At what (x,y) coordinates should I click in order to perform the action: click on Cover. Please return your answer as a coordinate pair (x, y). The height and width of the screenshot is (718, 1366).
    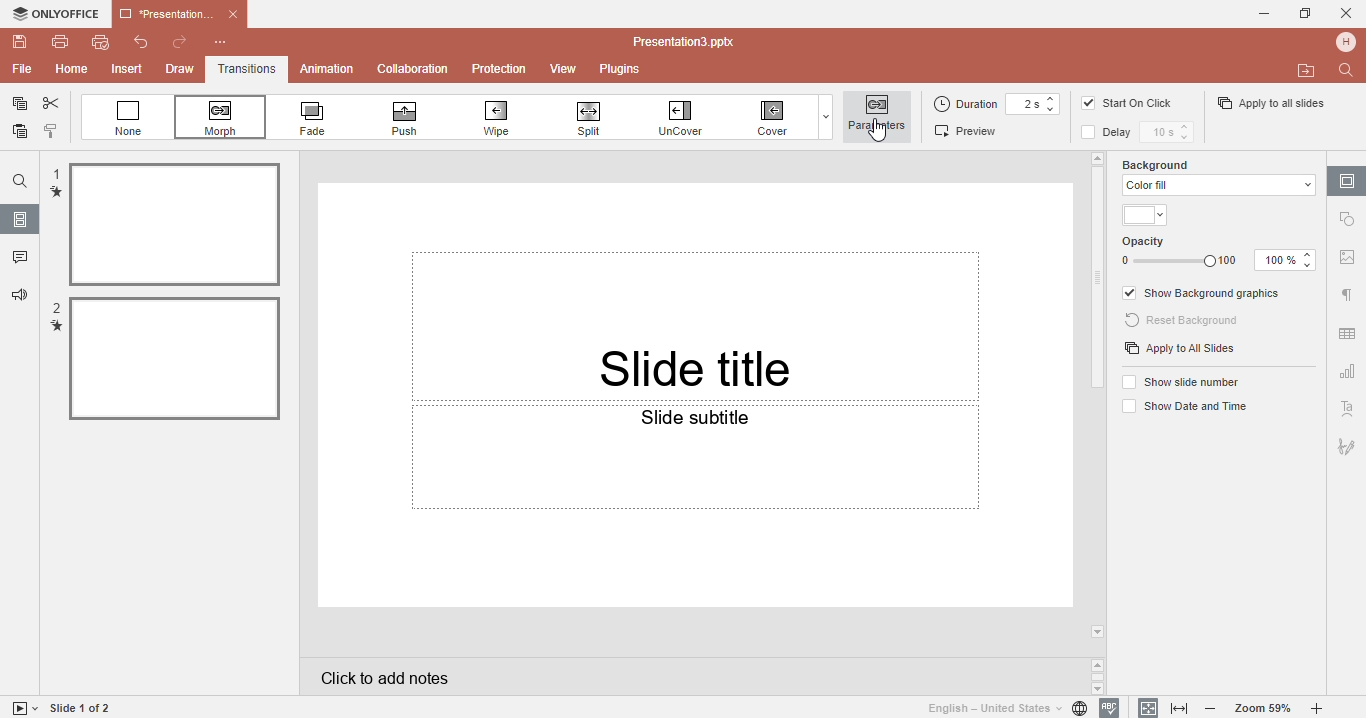
    Looking at the image, I should click on (775, 118).